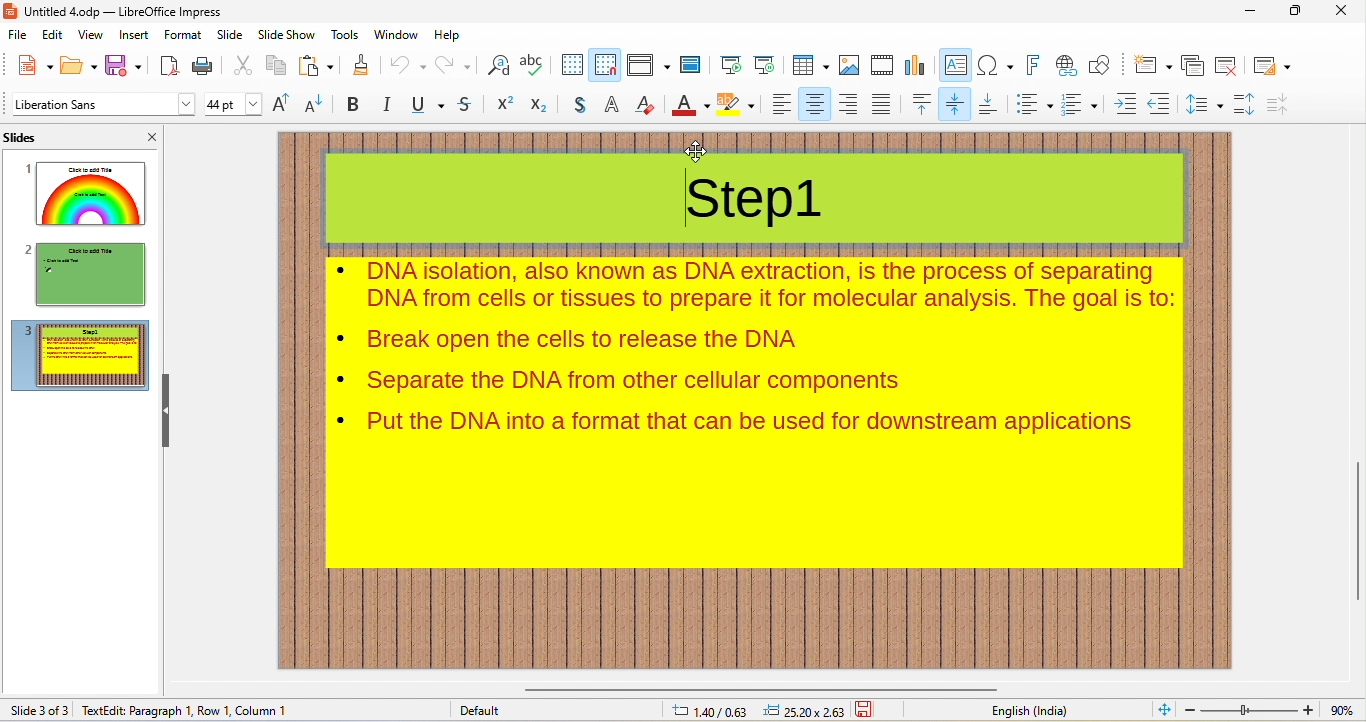  I want to click on increment text size, so click(282, 103).